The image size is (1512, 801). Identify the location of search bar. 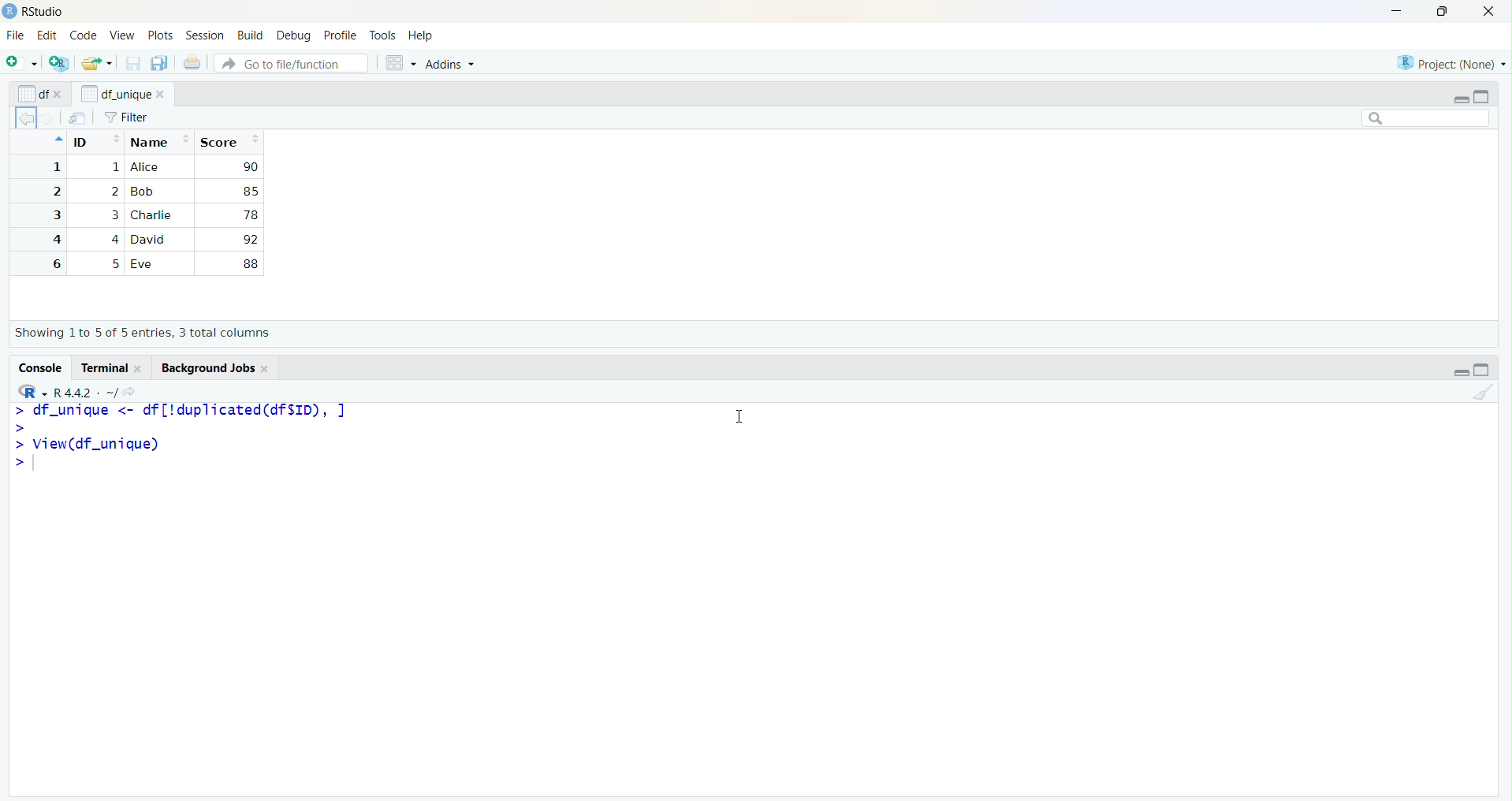
(1426, 117).